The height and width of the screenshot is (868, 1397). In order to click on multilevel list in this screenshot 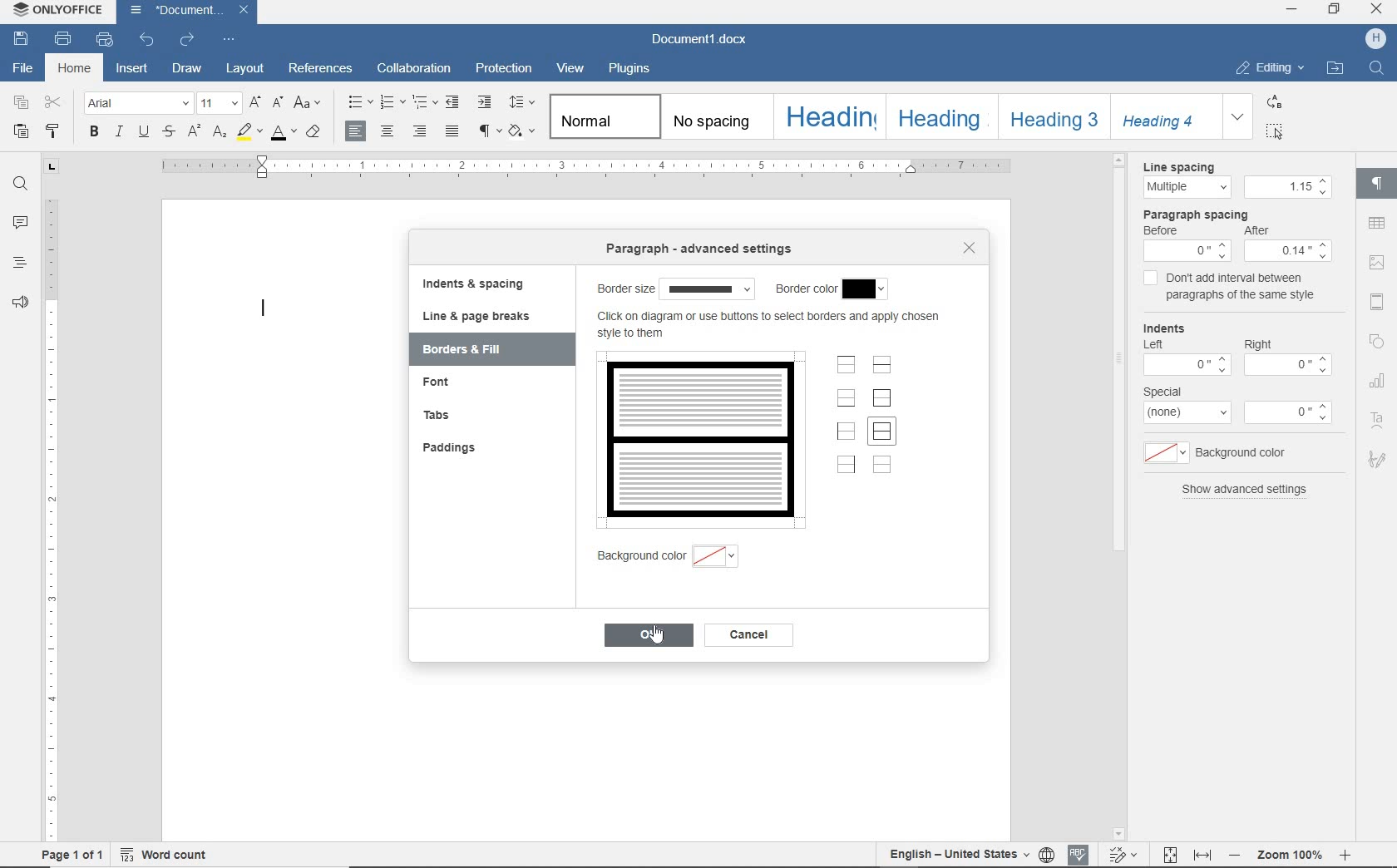, I will do `click(423, 103)`.